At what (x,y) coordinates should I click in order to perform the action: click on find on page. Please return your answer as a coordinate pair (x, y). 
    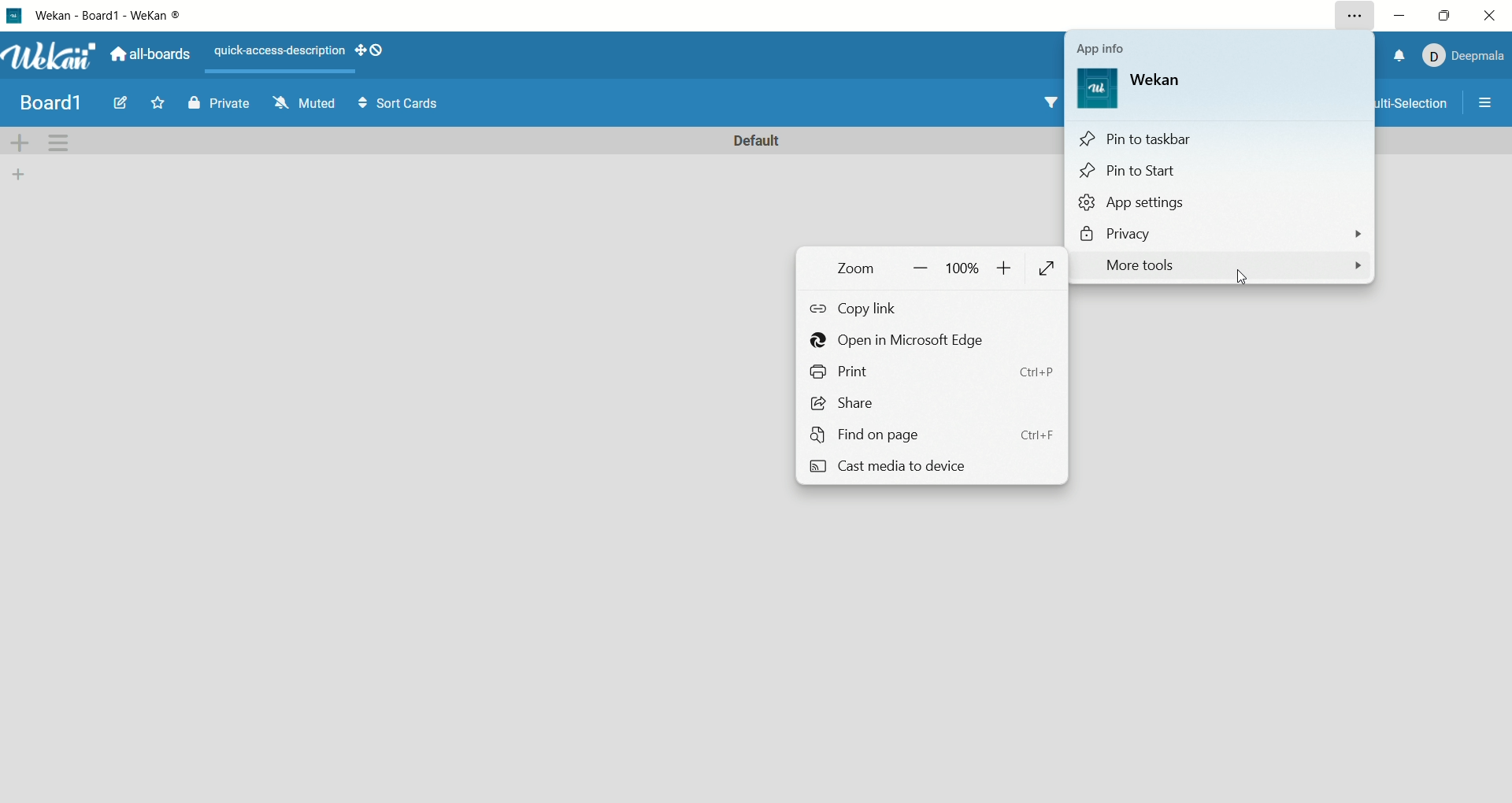
    Looking at the image, I should click on (942, 435).